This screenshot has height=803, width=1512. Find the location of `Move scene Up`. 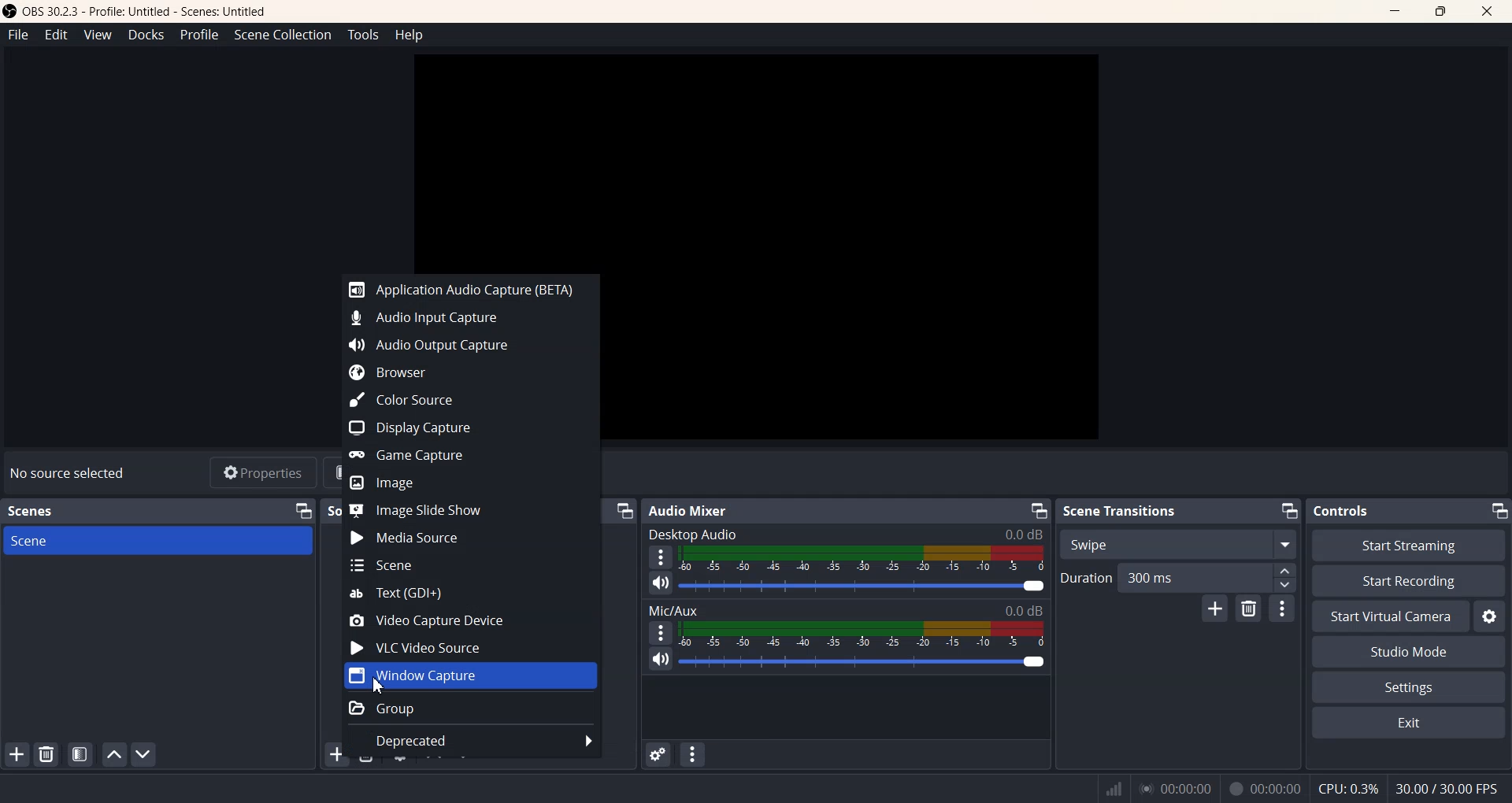

Move scene Up is located at coordinates (113, 754).